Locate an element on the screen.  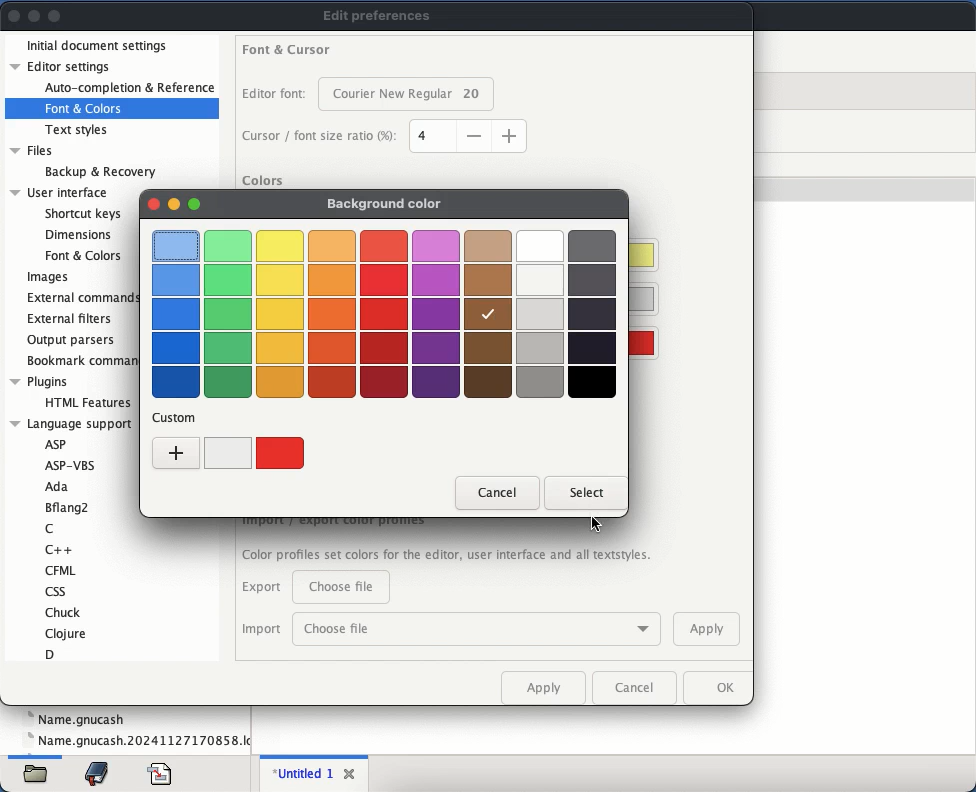
white is located at coordinates (227, 453).